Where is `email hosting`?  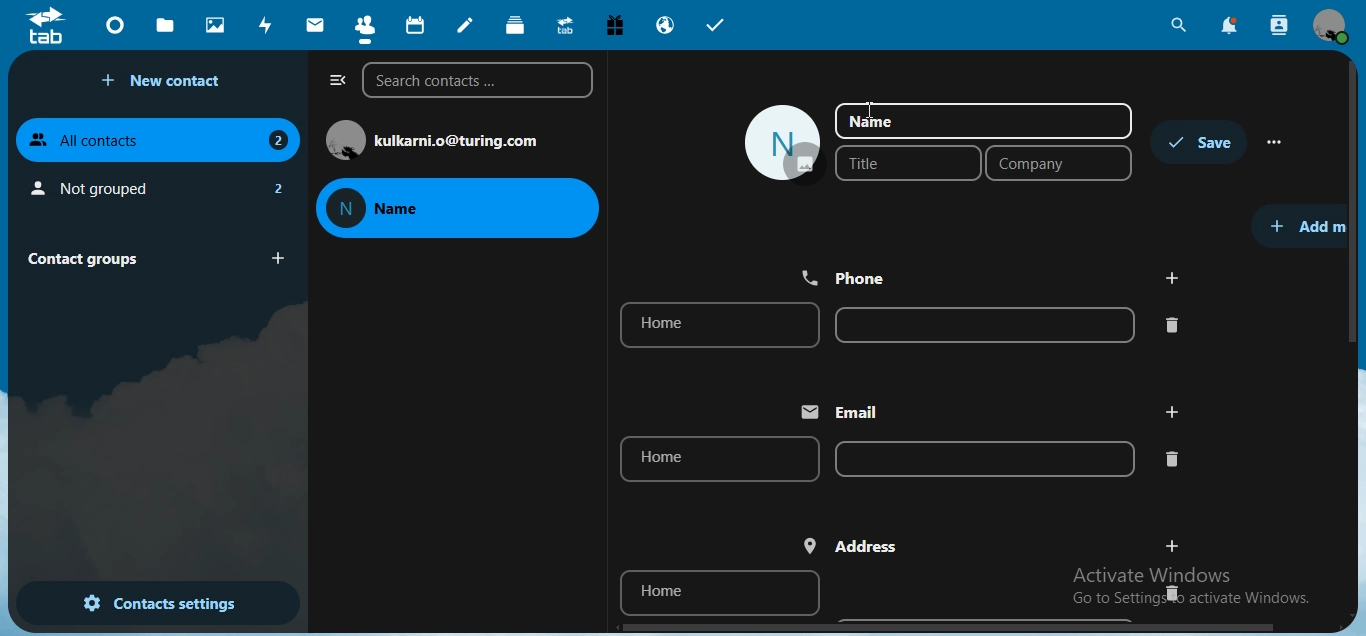 email hosting is located at coordinates (664, 27).